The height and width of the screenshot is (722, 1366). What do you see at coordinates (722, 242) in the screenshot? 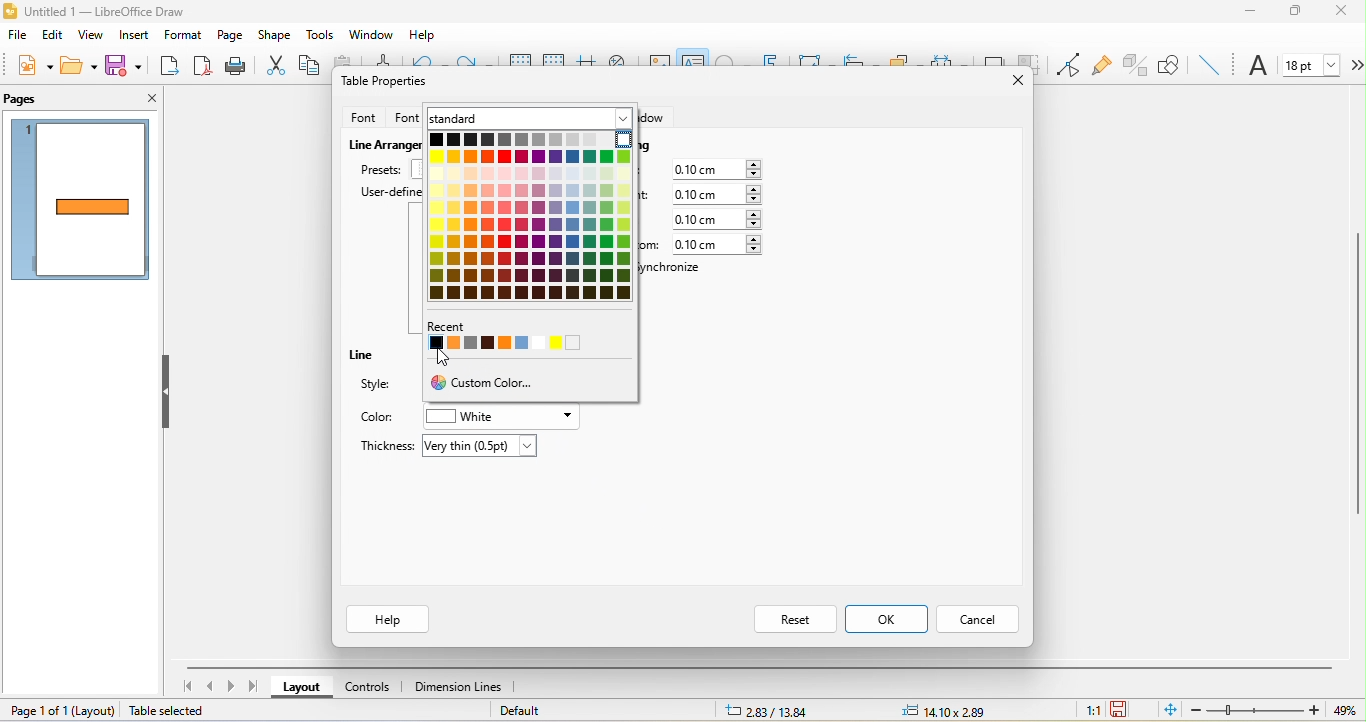
I see `0.10 cm` at bounding box center [722, 242].